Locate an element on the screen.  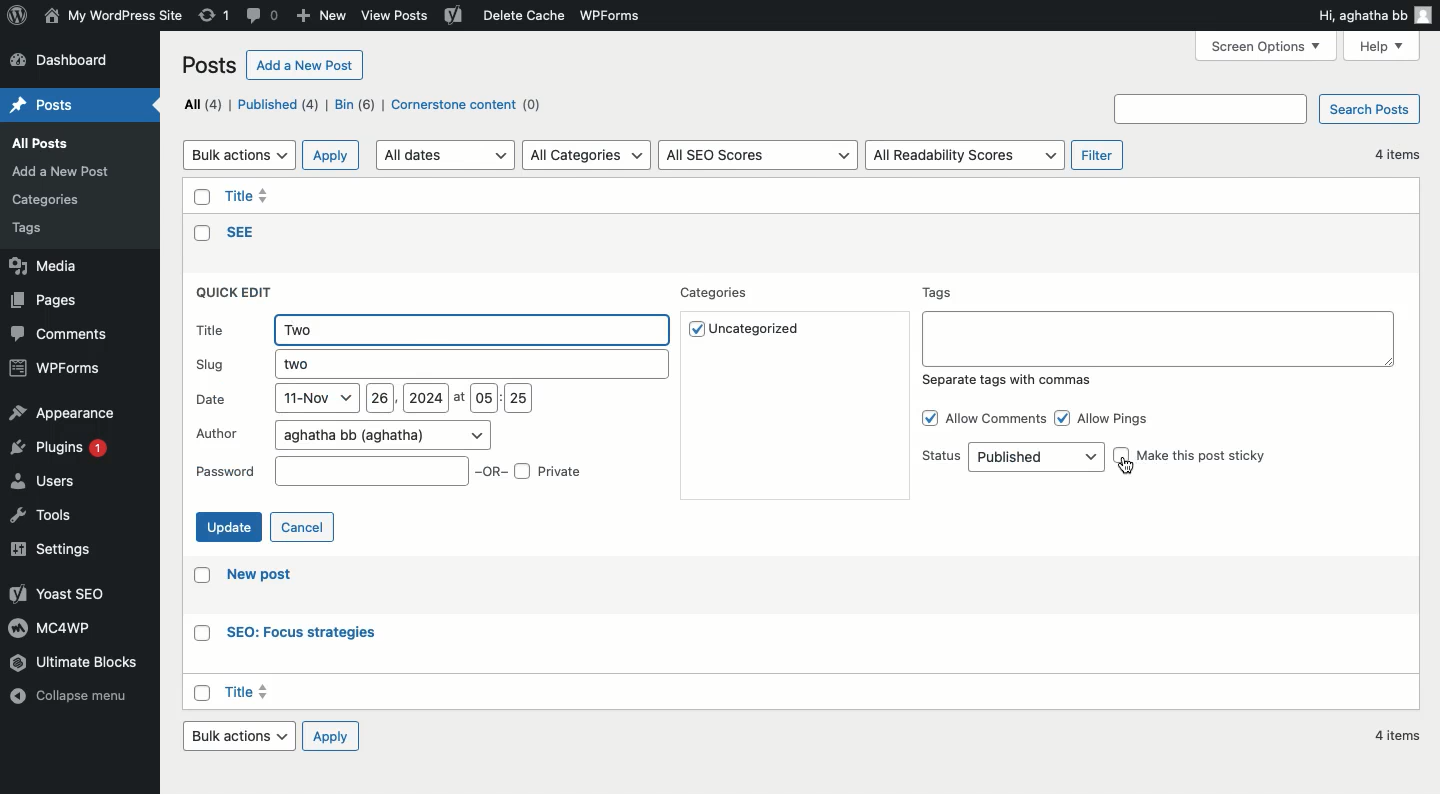
tags is located at coordinates (40, 230).